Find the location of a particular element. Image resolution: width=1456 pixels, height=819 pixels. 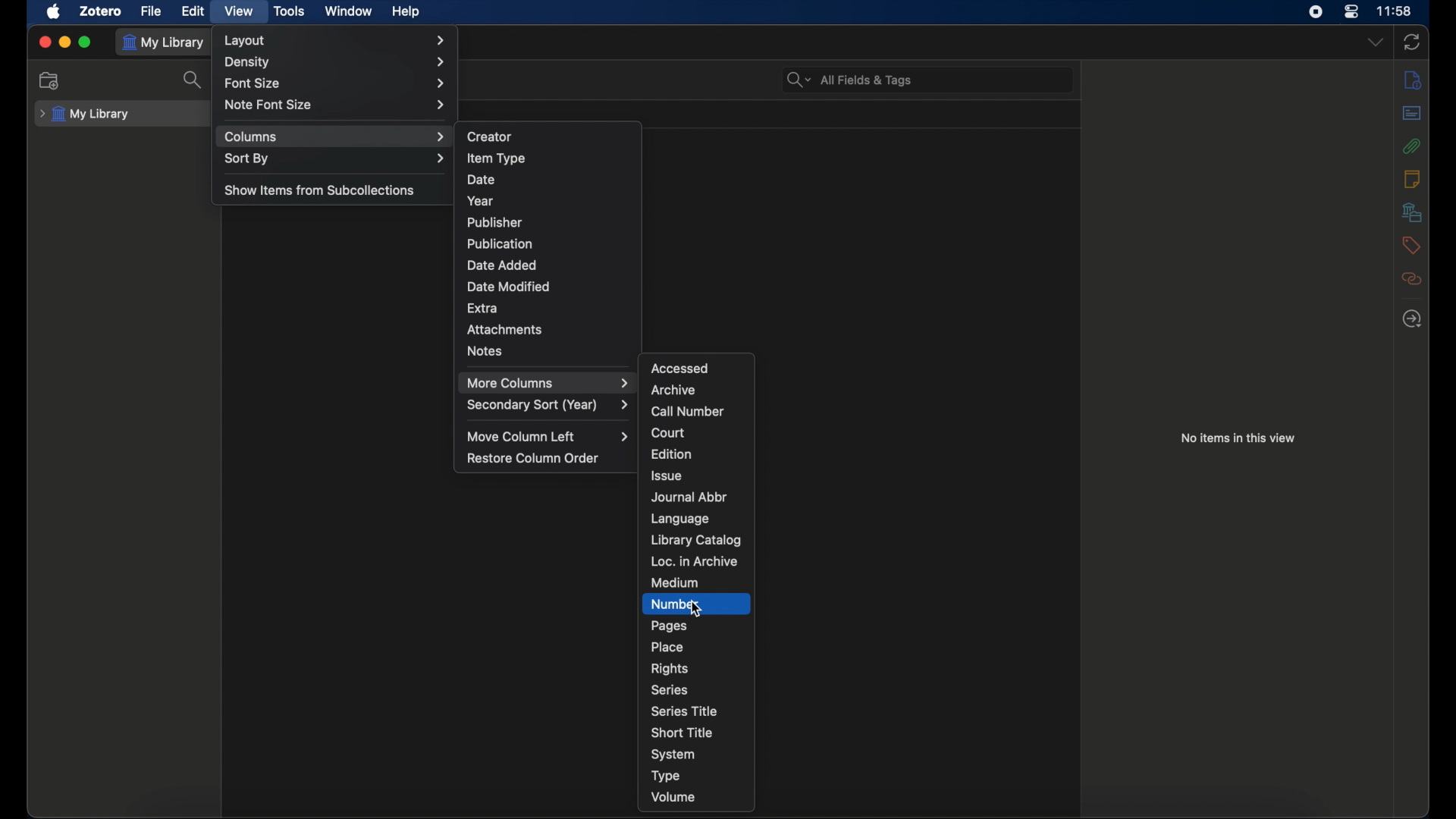

year is located at coordinates (479, 201).